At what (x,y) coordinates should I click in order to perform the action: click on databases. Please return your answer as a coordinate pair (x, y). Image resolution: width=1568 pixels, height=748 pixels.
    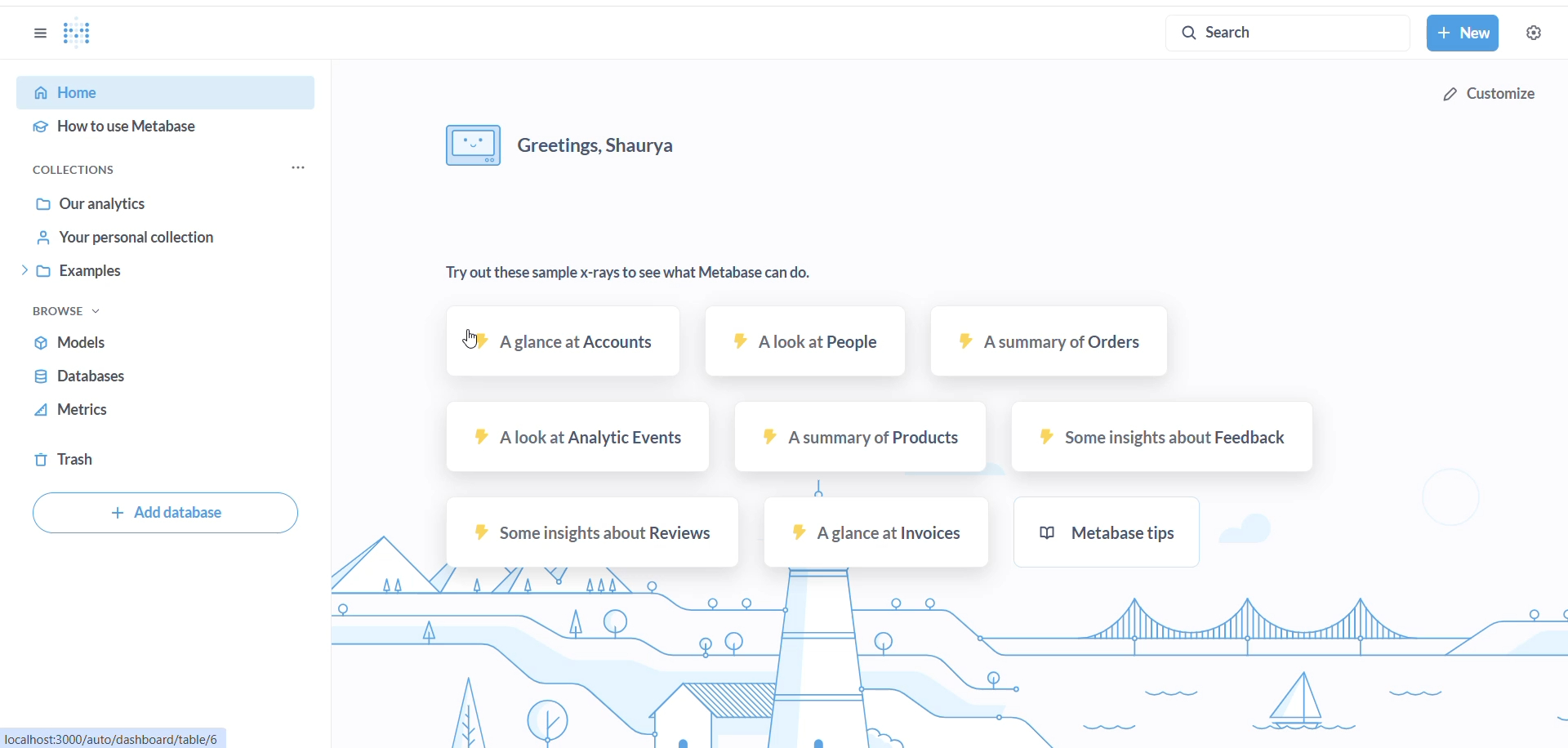
    Looking at the image, I should click on (126, 375).